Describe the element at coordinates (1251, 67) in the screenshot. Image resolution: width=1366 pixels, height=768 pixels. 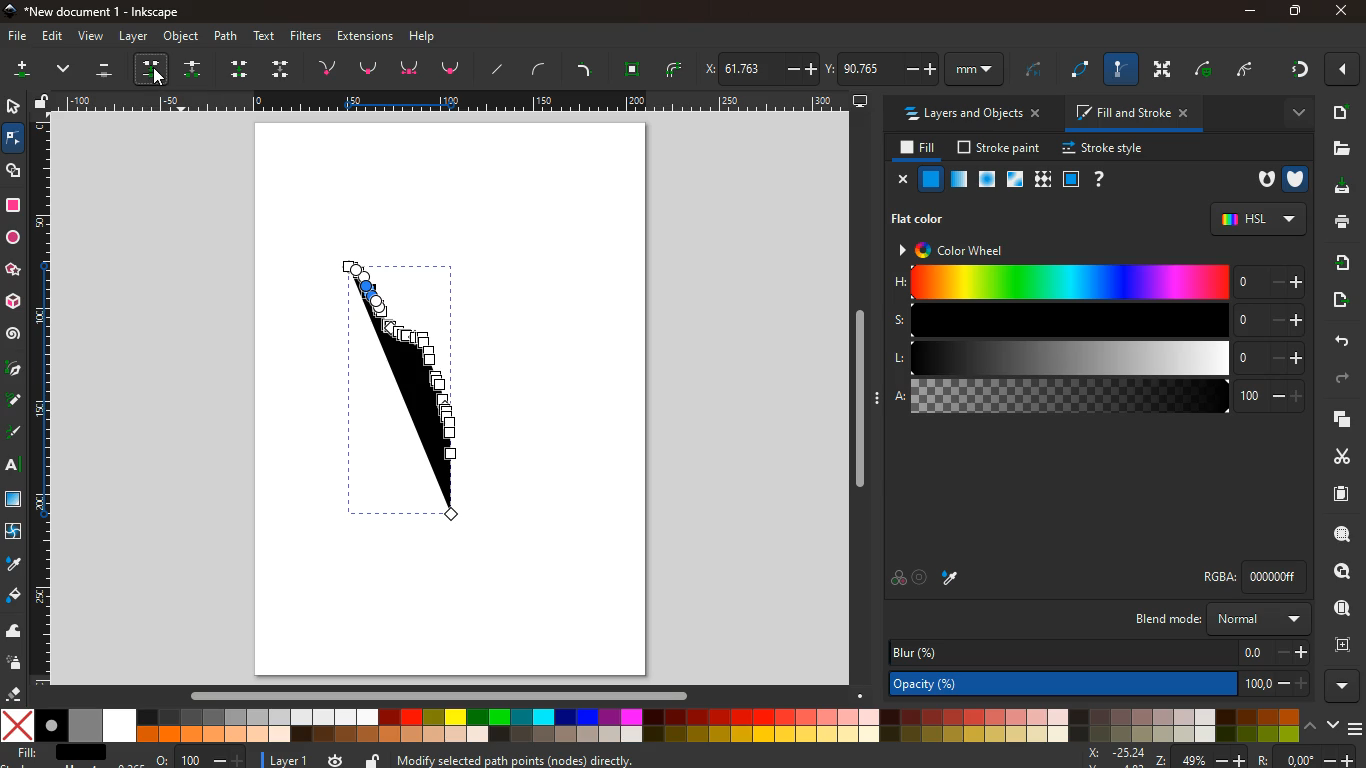
I see `angle` at that location.